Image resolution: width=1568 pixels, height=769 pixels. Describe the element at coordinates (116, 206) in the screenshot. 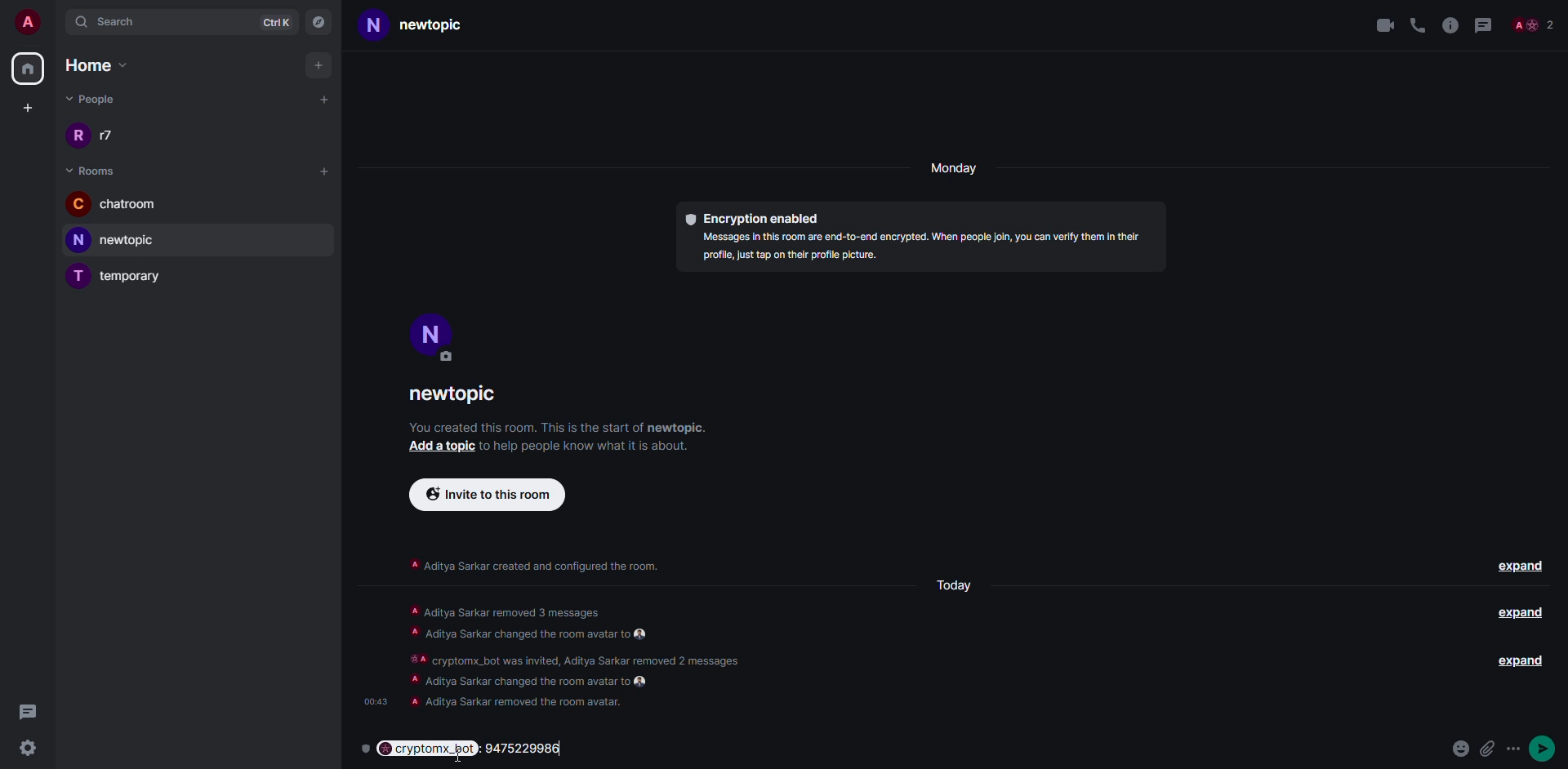

I see `chatroom` at that location.